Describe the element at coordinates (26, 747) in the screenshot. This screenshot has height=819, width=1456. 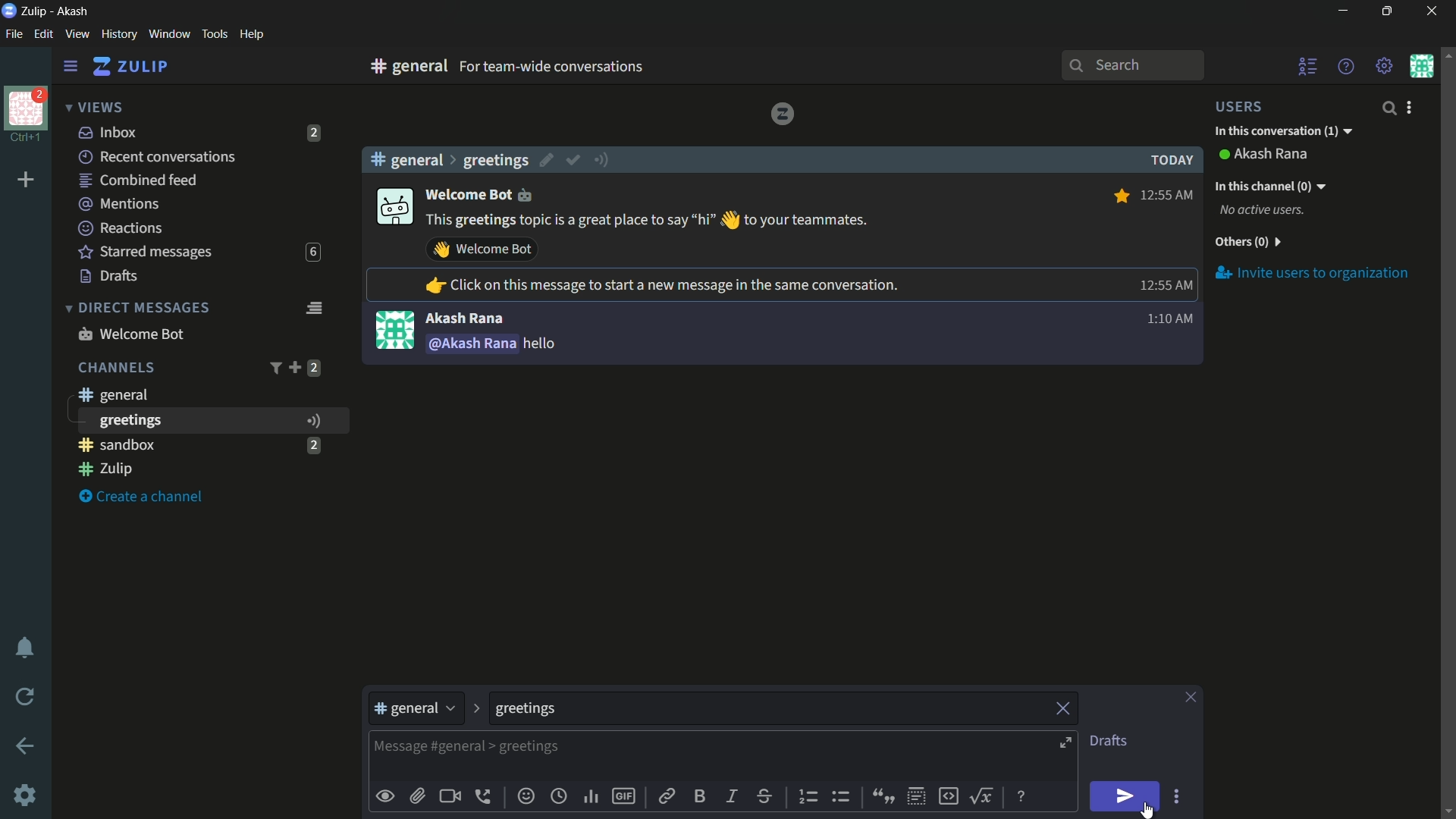
I see `go back` at that location.